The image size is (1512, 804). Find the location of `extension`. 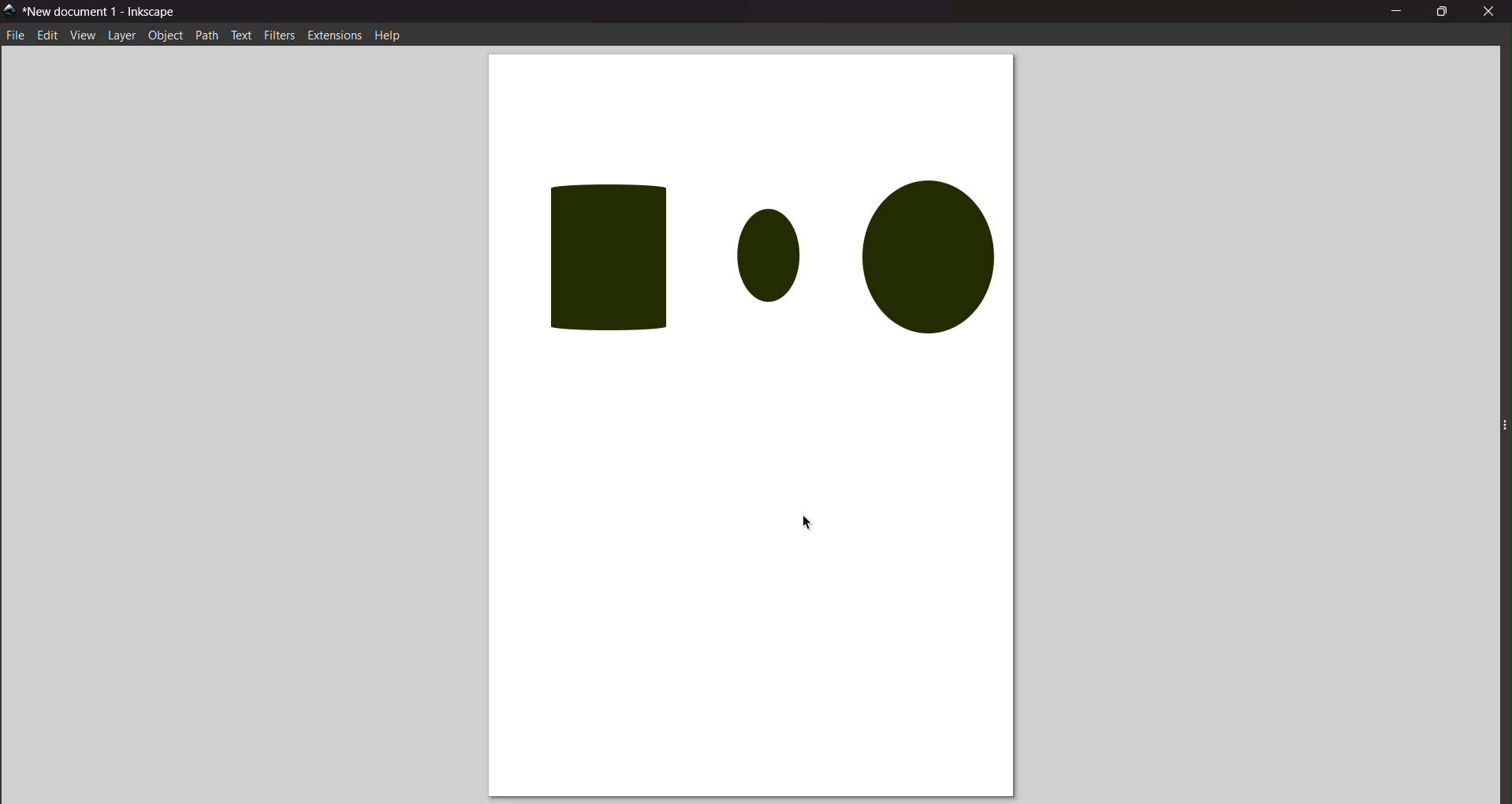

extension is located at coordinates (335, 35).